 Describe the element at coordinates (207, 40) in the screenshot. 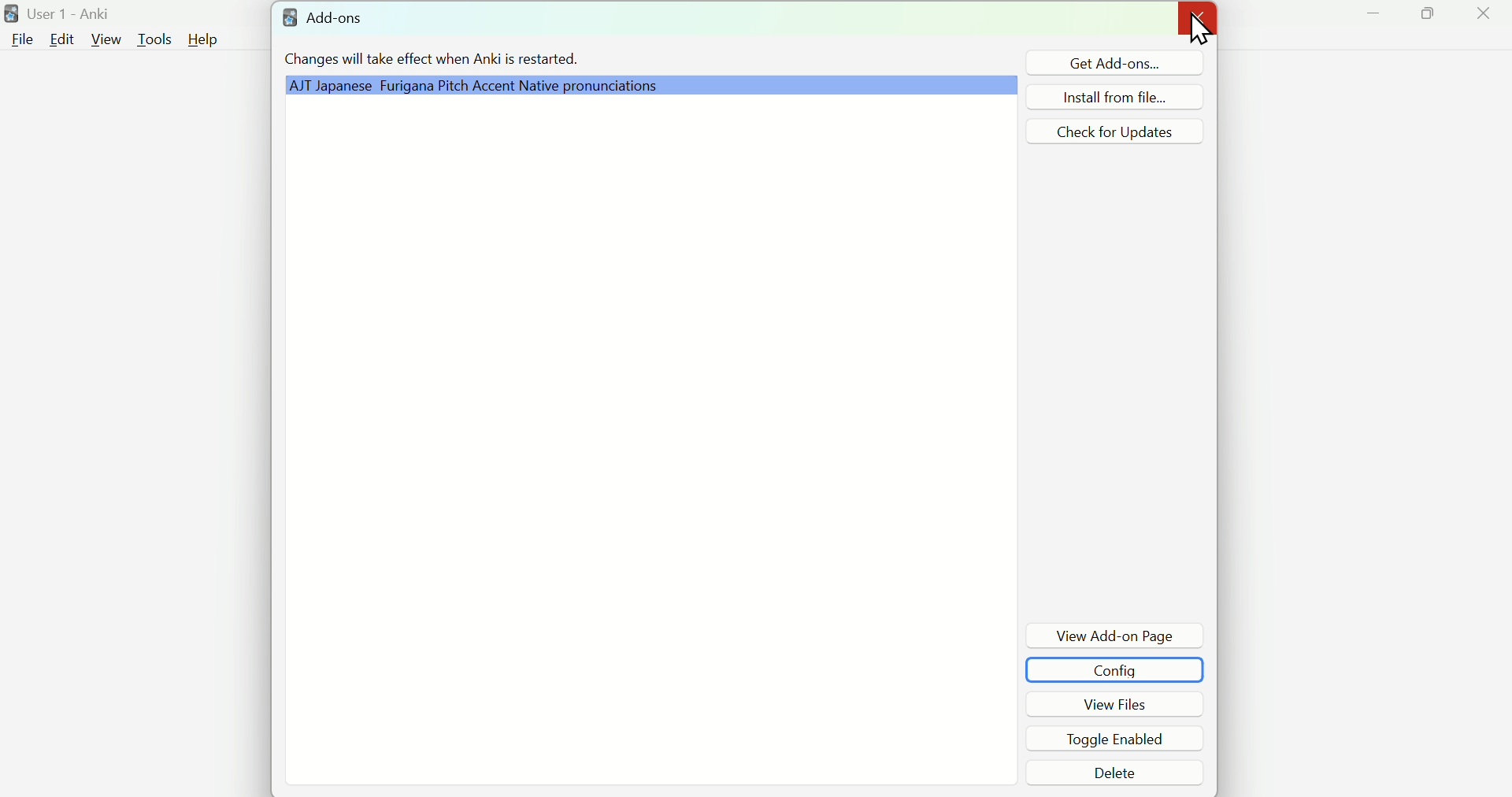

I see `Help` at that location.